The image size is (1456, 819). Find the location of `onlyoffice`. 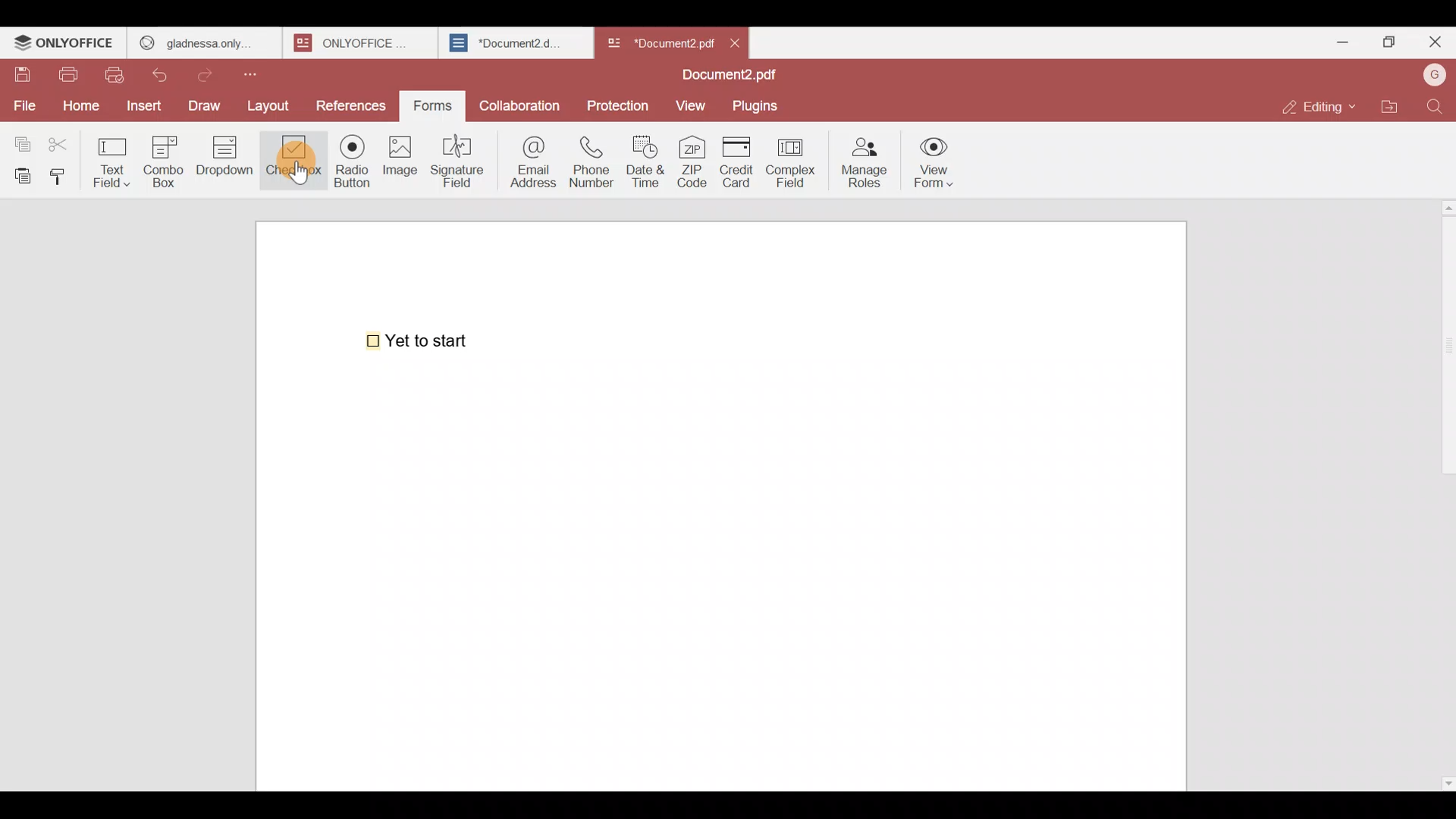

onlyoffice is located at coordinates (355, 42).